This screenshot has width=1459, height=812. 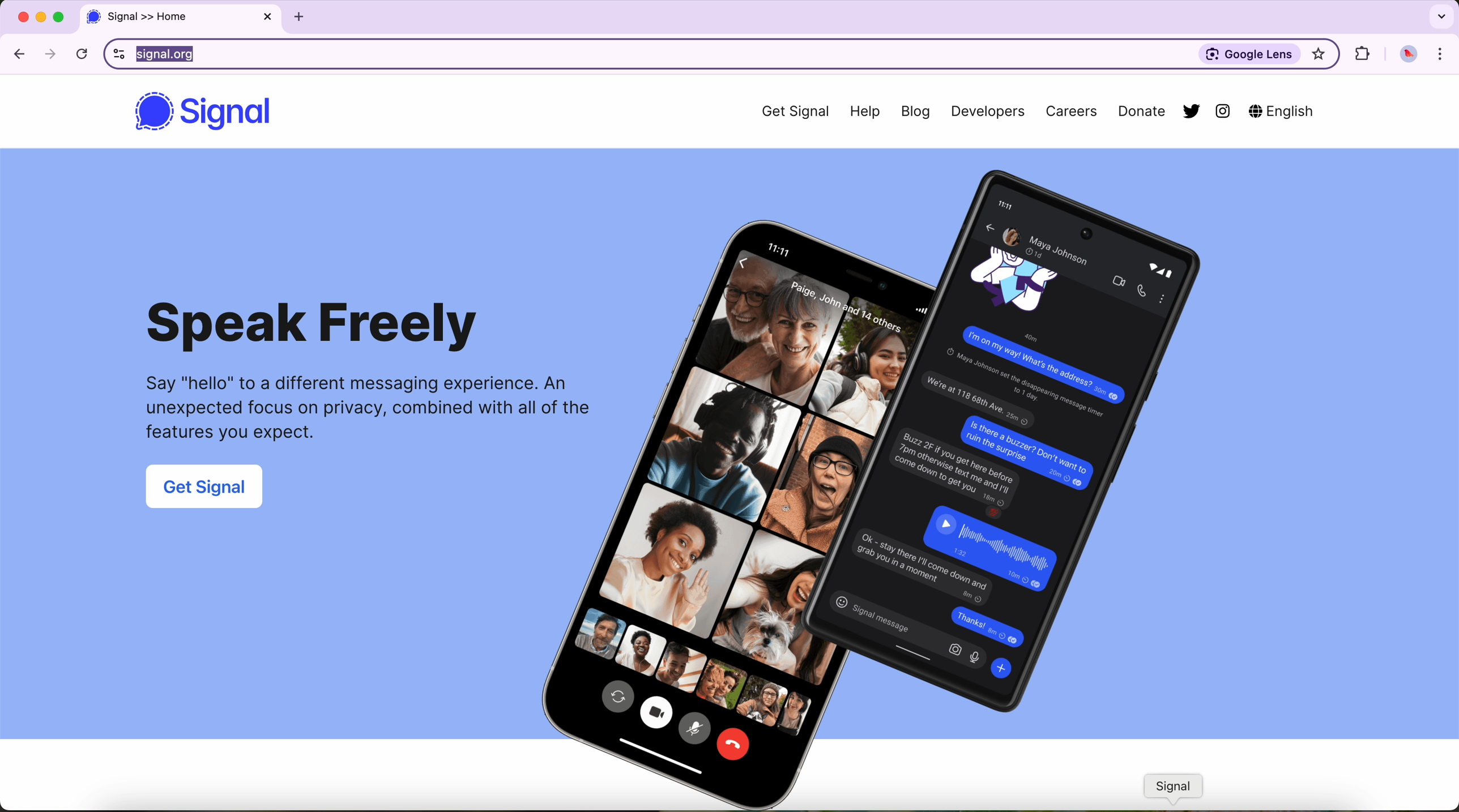 What do you see at coordinates (1319, 55) in the screenshot?
I see `highlight` at bounding box center [1319, 55].